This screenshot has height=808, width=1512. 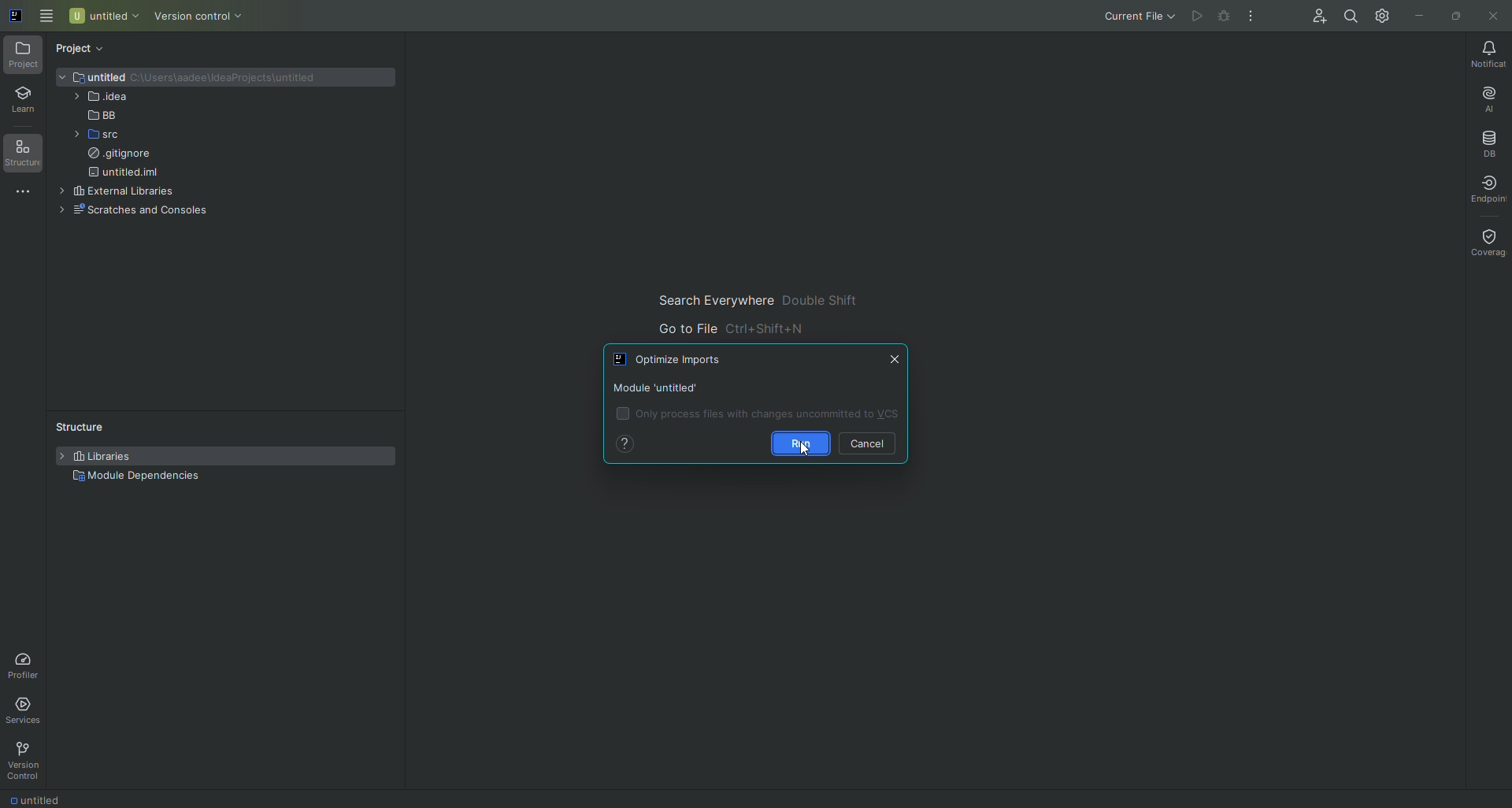 I want to click on Help, so click(x=631, y=444).